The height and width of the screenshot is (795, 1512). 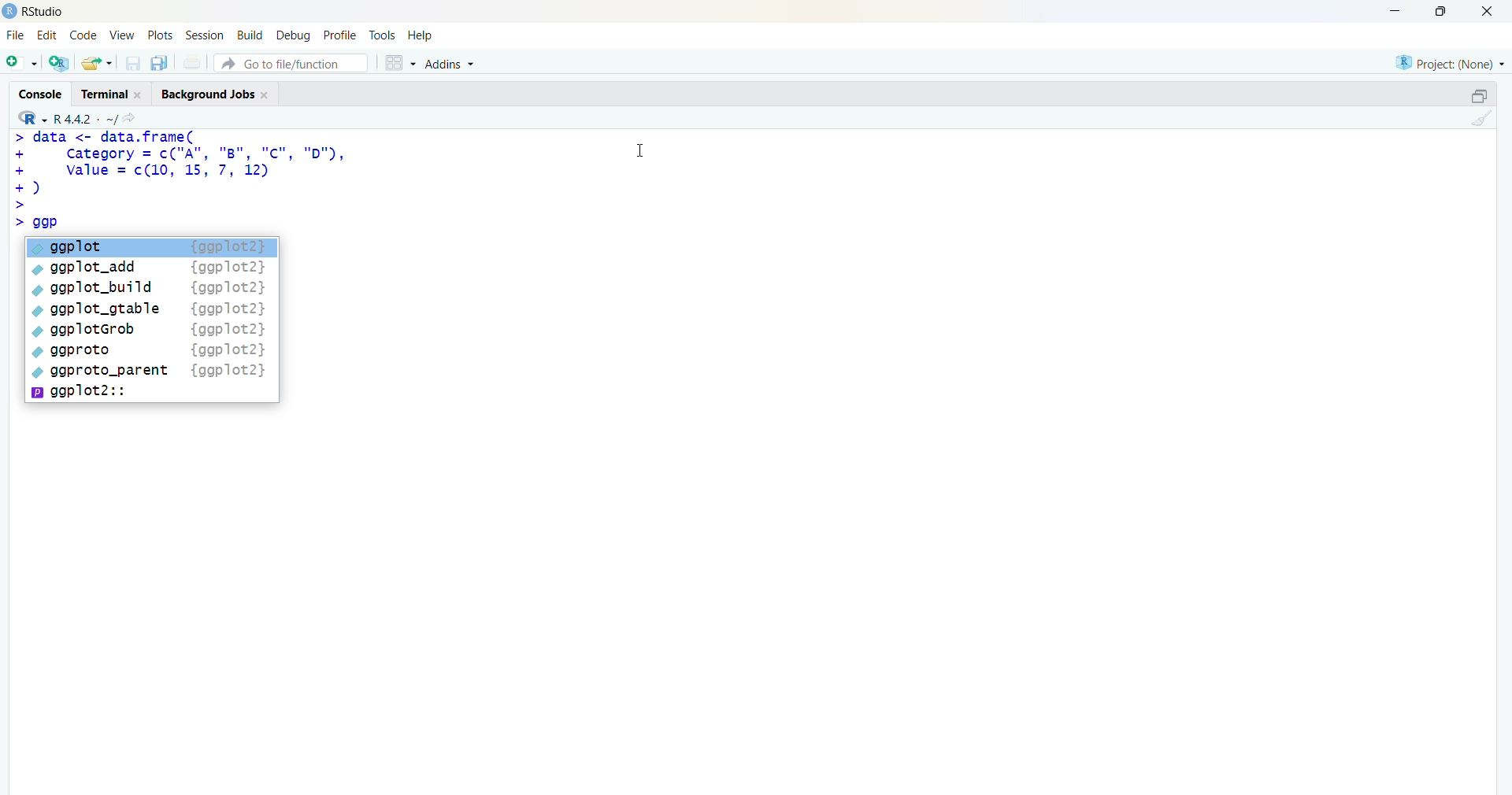 What do you see at coordinates (21, 61) in the screenshot?
I see `new file` at bounding box center [21, 61].